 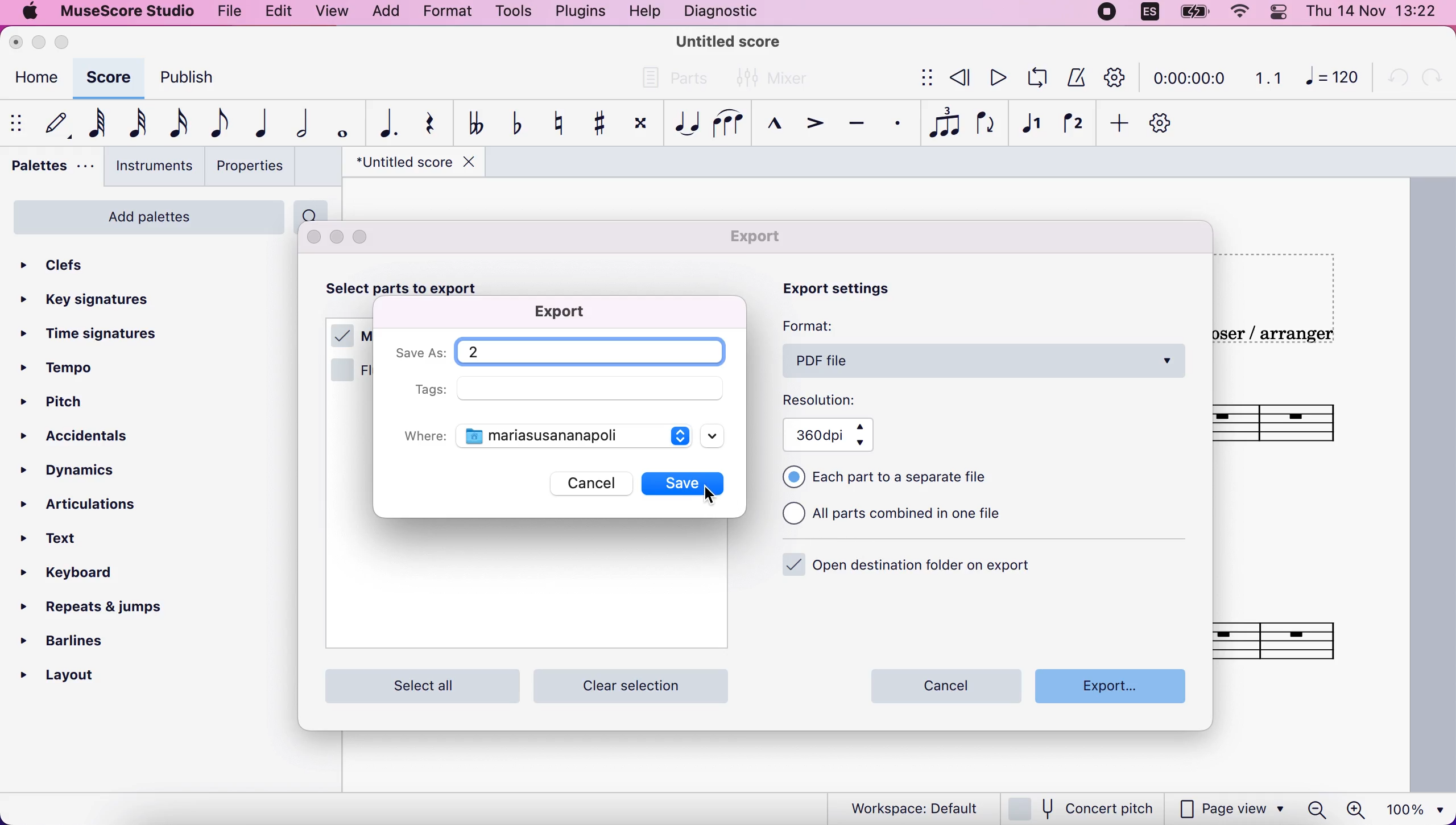 What do you see at coordinates (850, 294) in the screenshot?
I see `export settings` at bounding box center [850, 294].